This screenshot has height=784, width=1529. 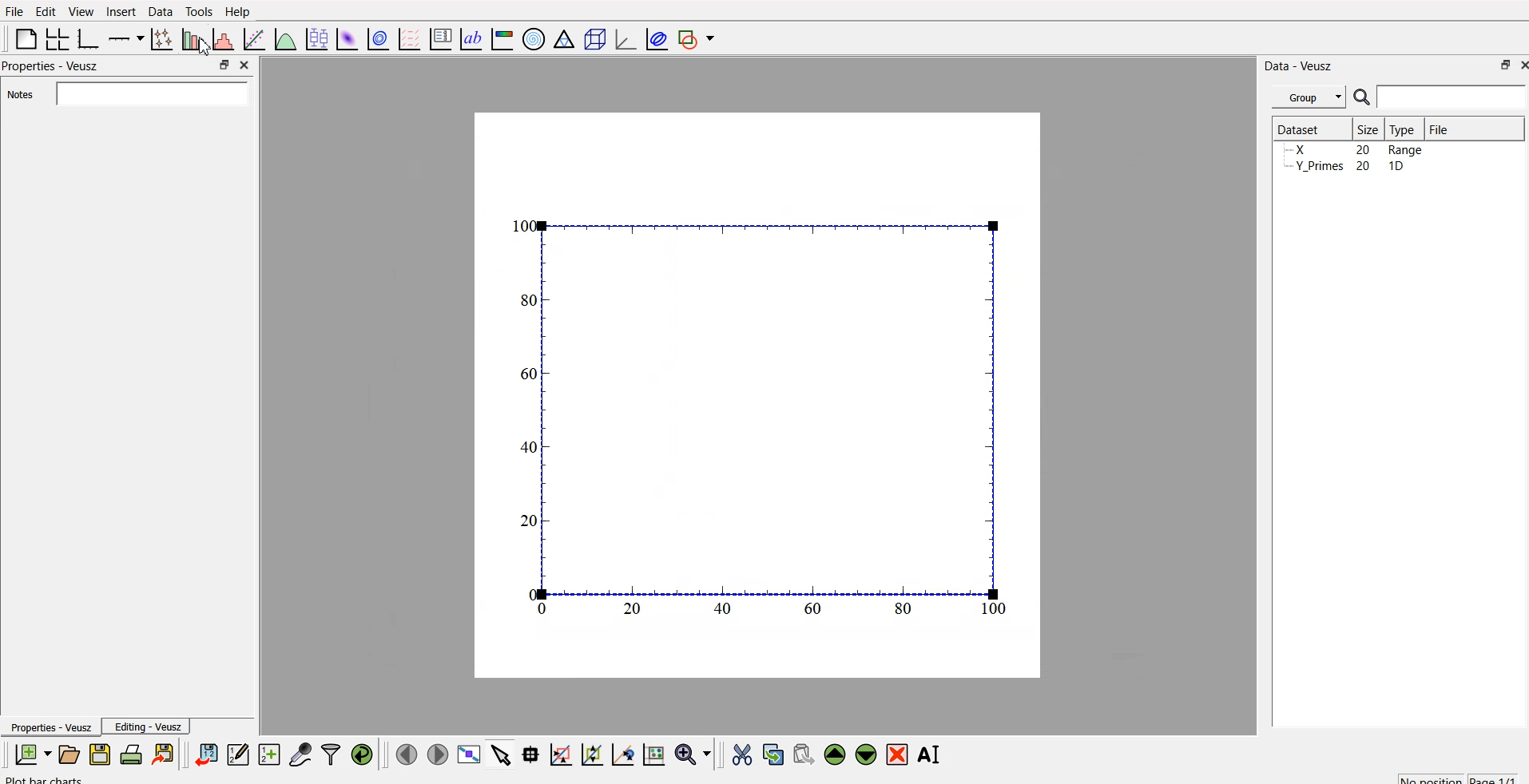 What do you see at coordinates (347, 38) in the screenshot?
I see `plot dataset` at bounding box center [347, 38].